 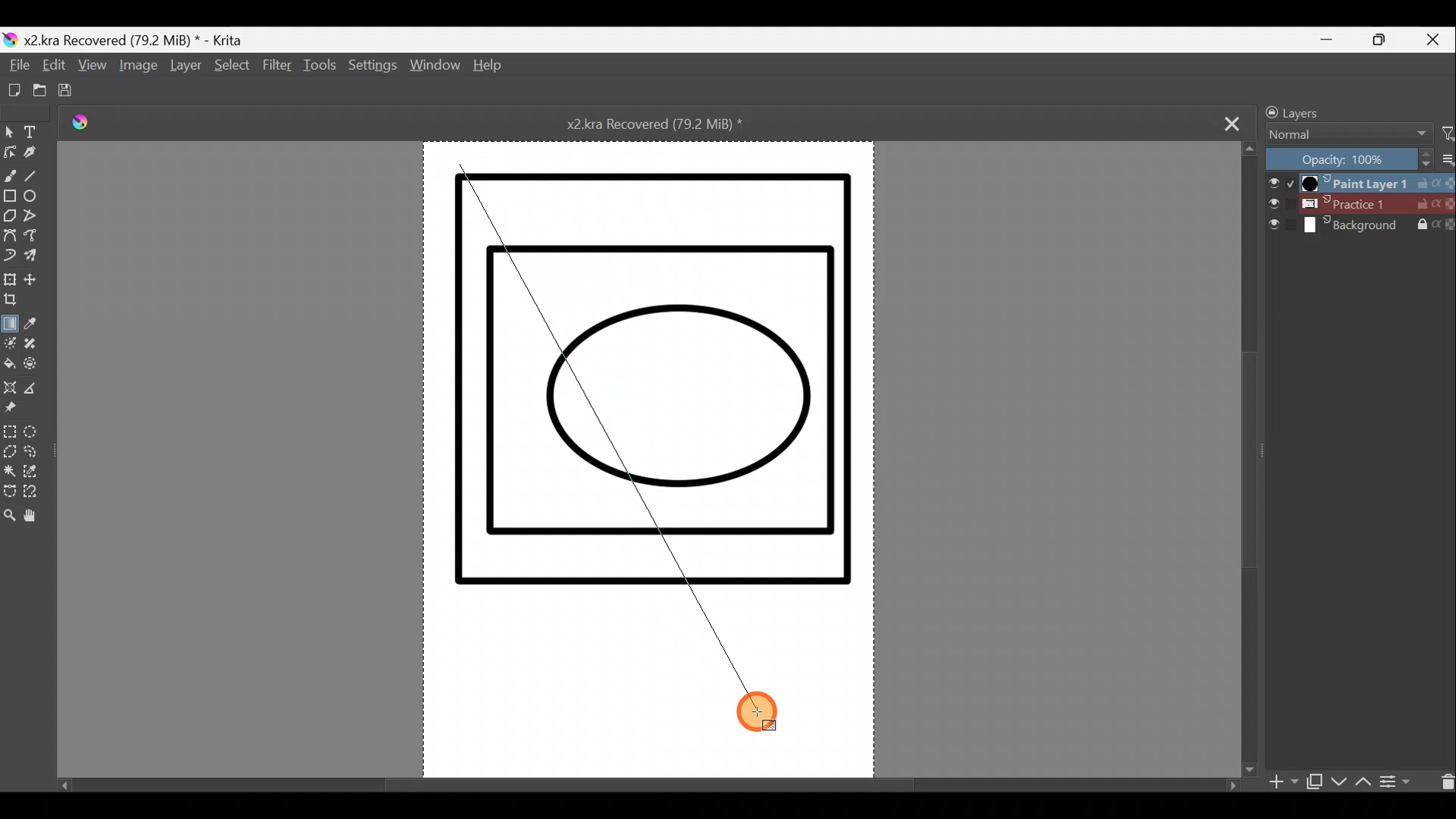 What do you see at coordinates (33, 498) in the screenshot?
I see `Magnetic curve selection tool` at bounding box center [33, 498].